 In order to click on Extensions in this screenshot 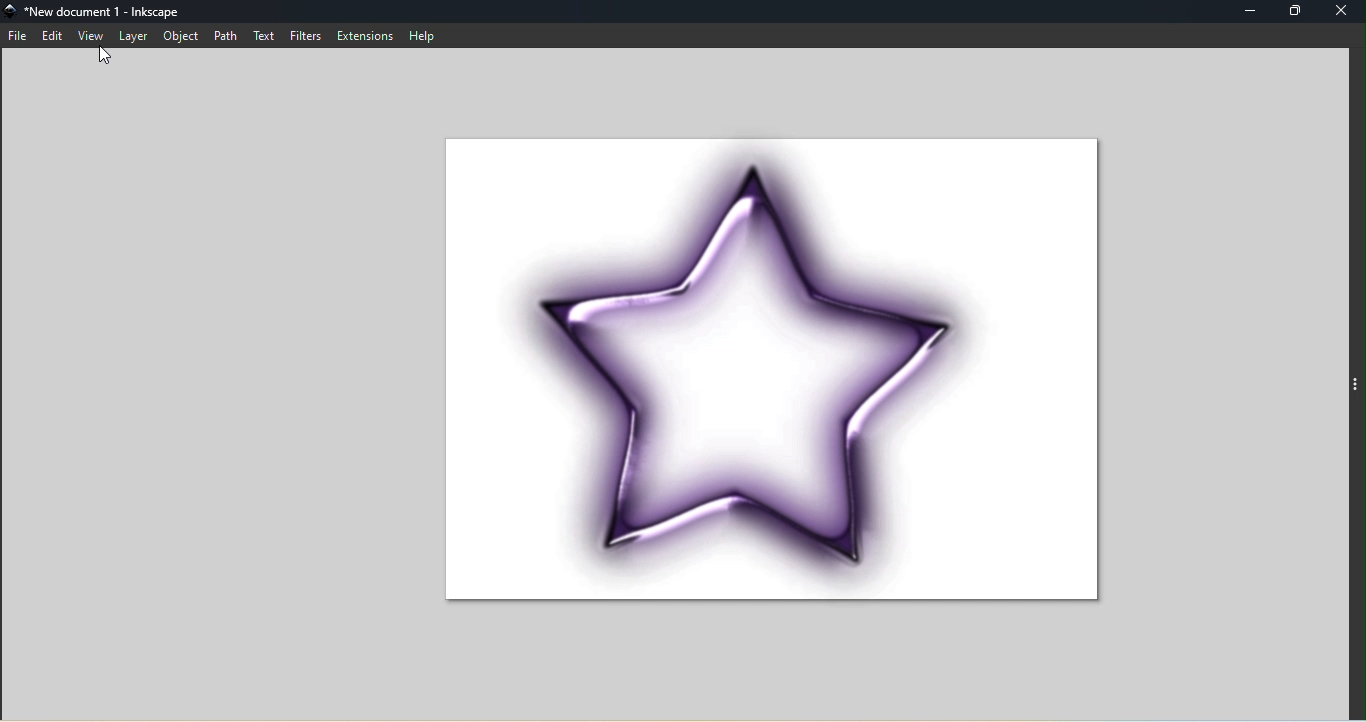, I will do `click(365, 34)`.